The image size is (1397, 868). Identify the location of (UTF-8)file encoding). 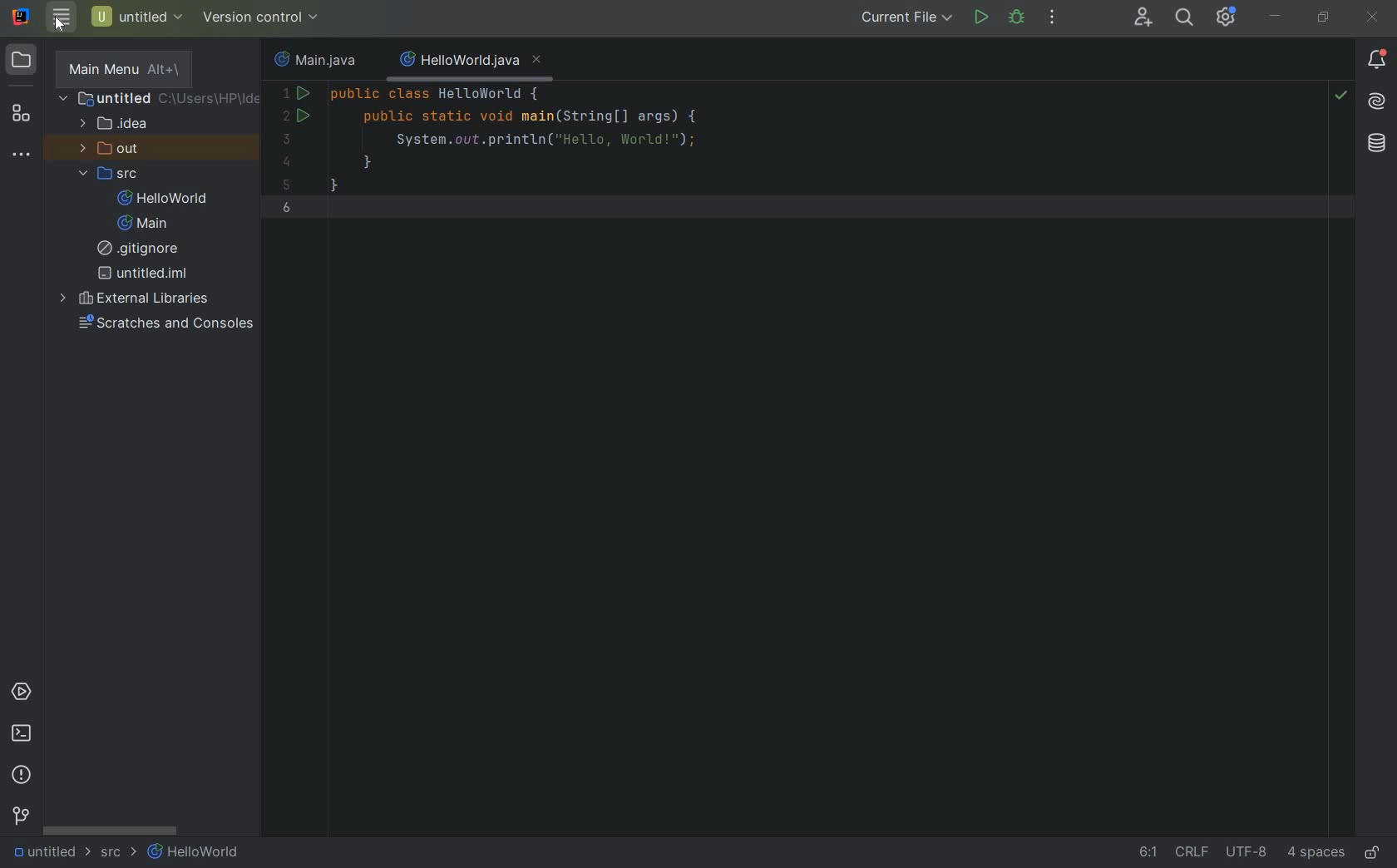
(1249, 855).